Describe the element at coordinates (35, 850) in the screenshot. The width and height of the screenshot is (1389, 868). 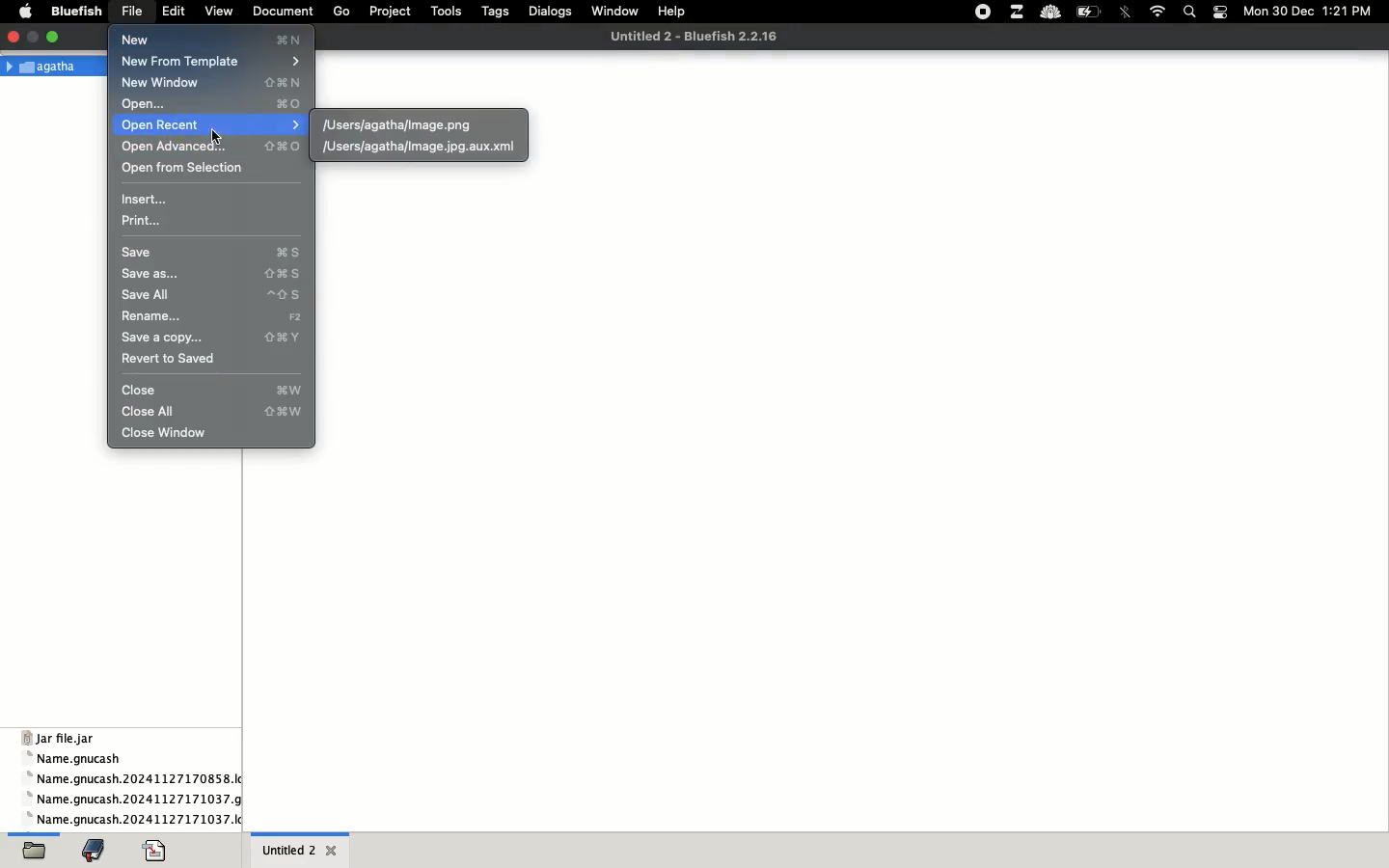
I see `open` at that location.